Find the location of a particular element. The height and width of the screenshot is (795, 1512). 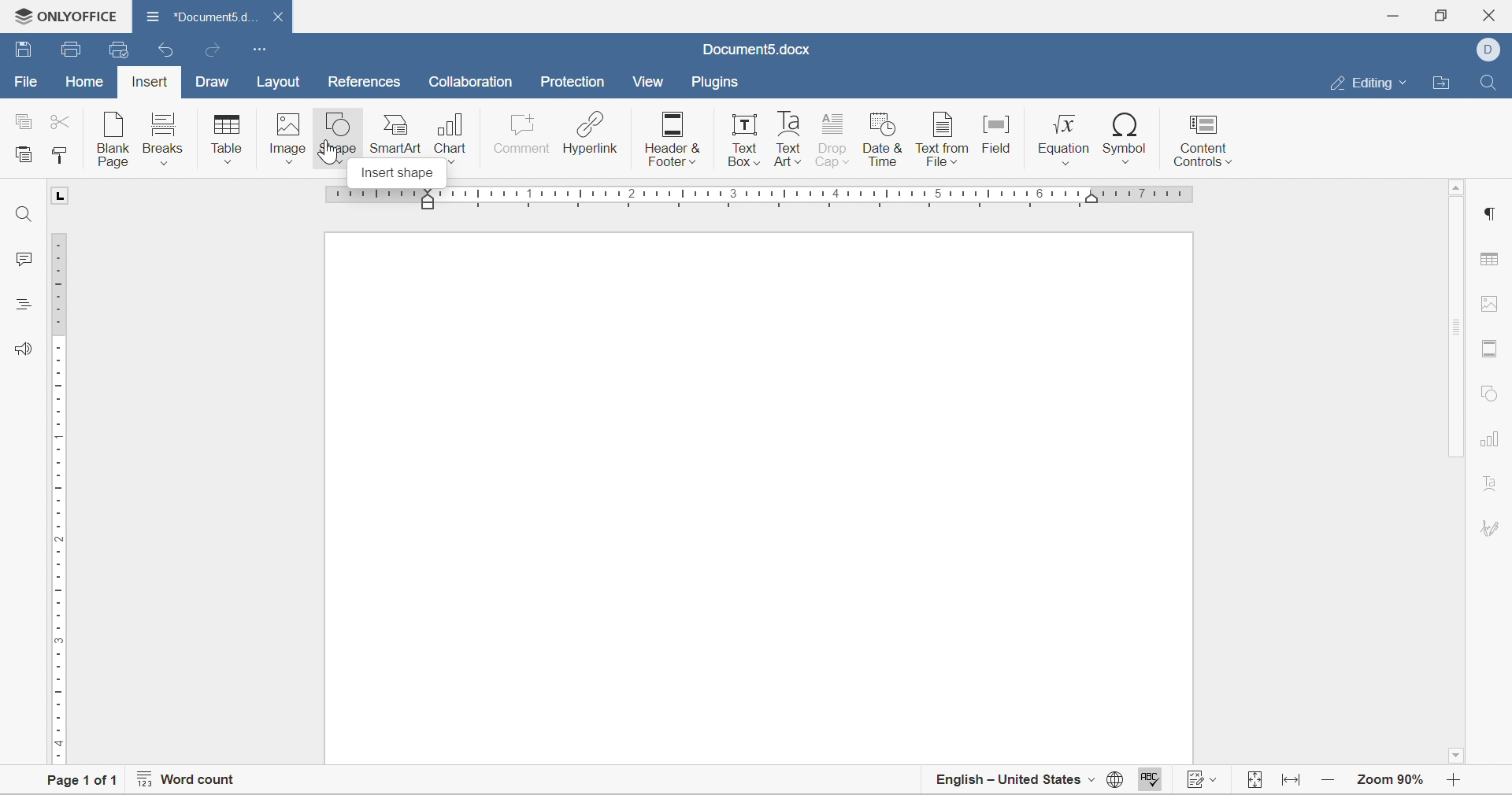

fit to width is located at coordinates (1252, 782).